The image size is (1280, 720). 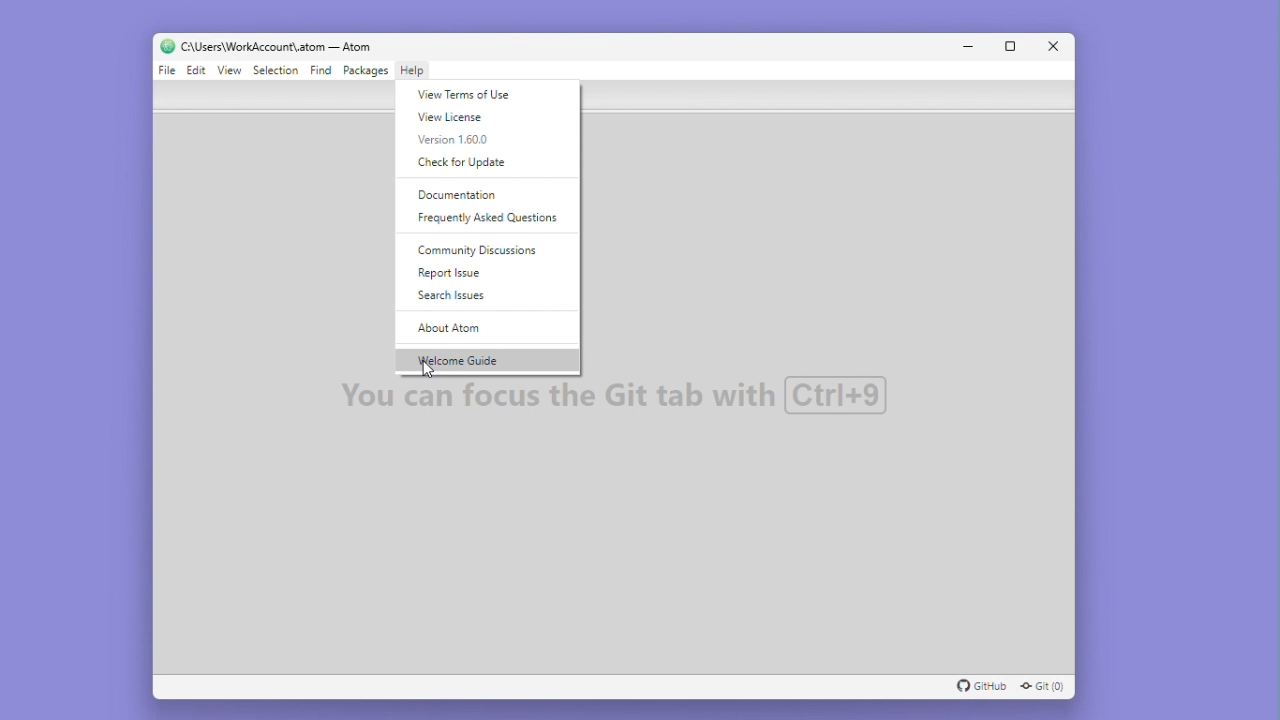 What do you see at coordinates (468, 118) in the screenshot?
I see `Real licence` at bounding box center [468, 118].